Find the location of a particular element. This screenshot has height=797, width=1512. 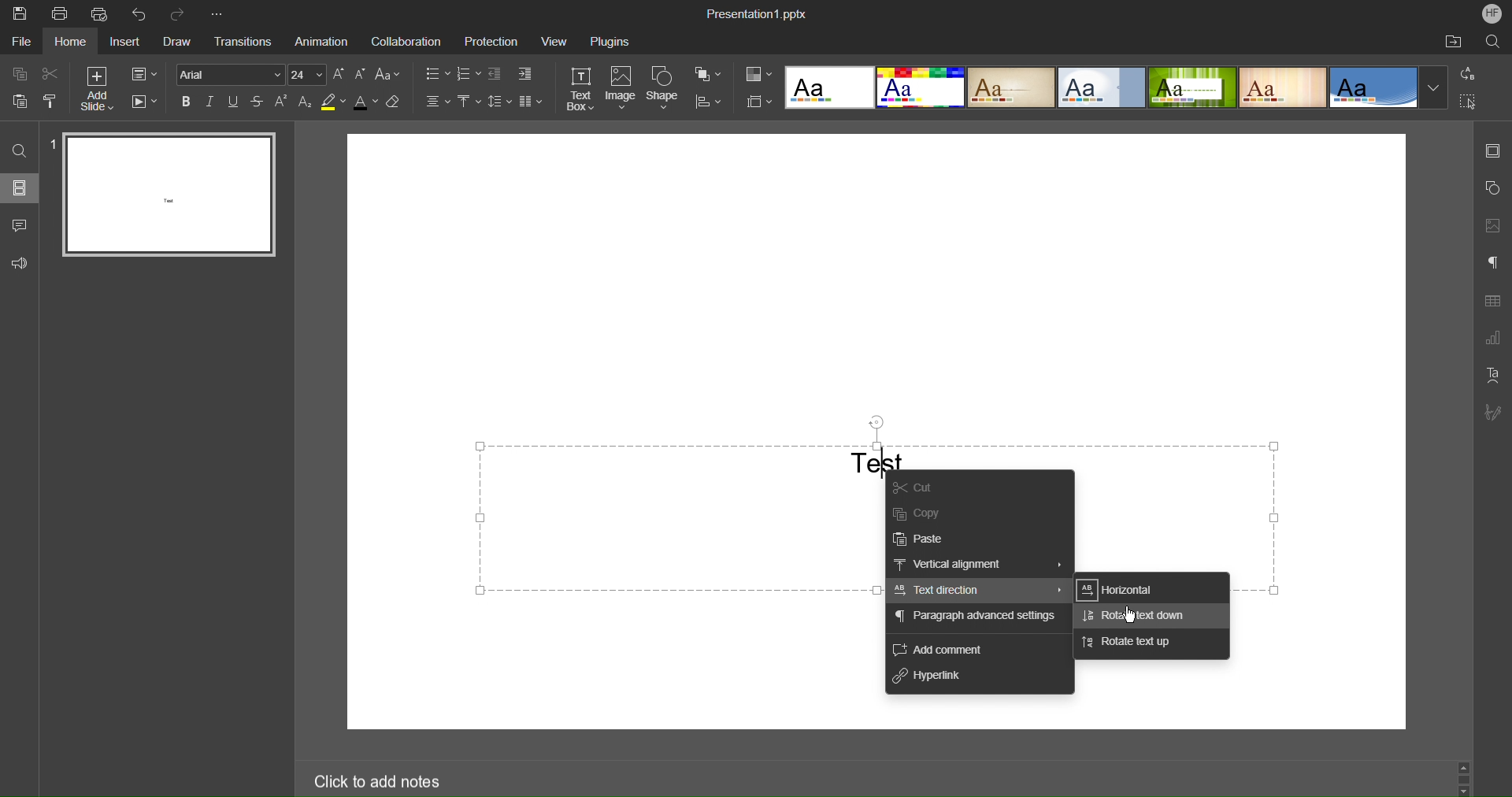

Search is located at coordinates (18, 146).